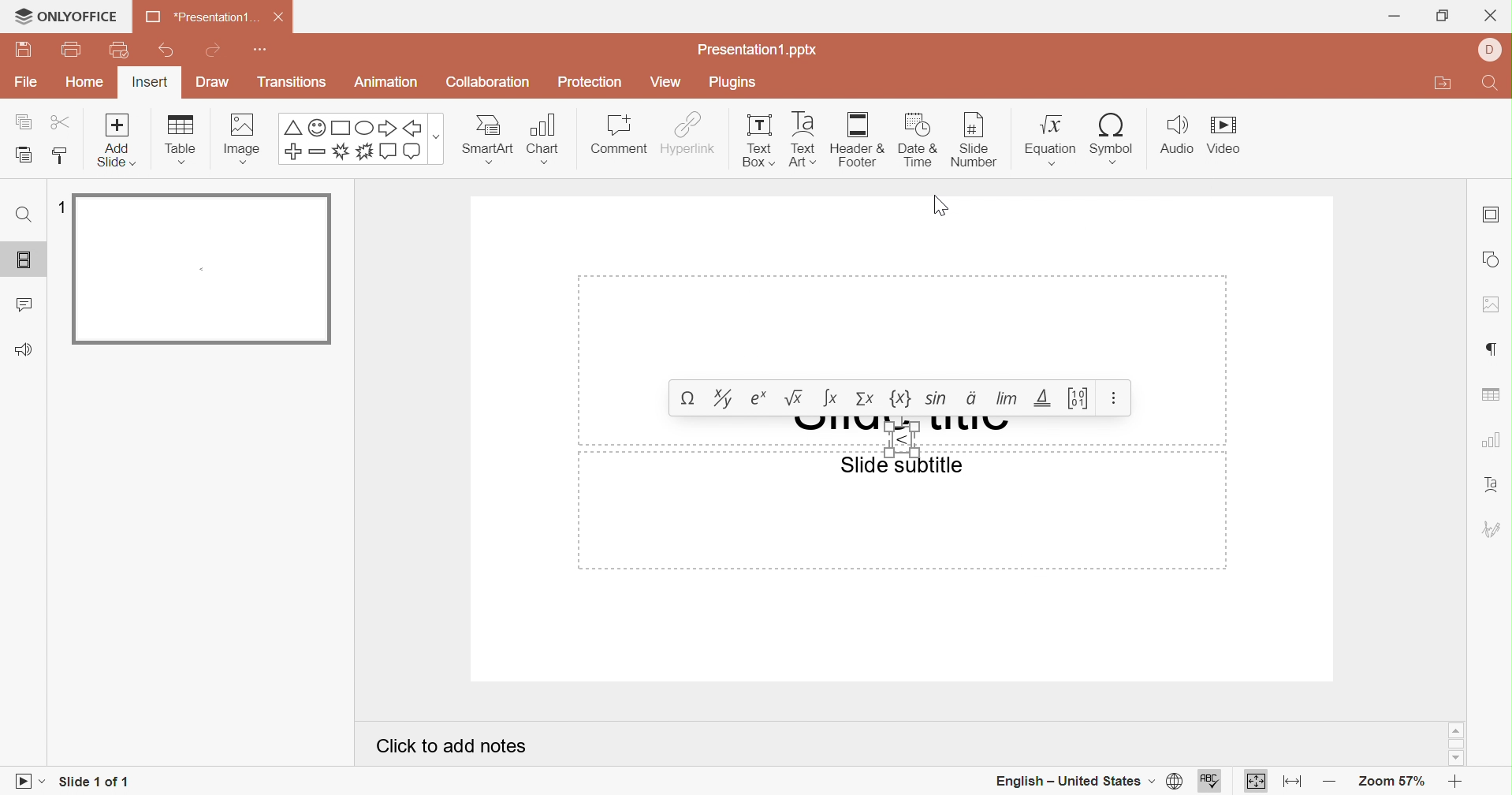 The image size is (1512, 795). What do you see at coordinates (883, 398) in the screenshot?
I see `Equation` at bounding box center [883, 398].